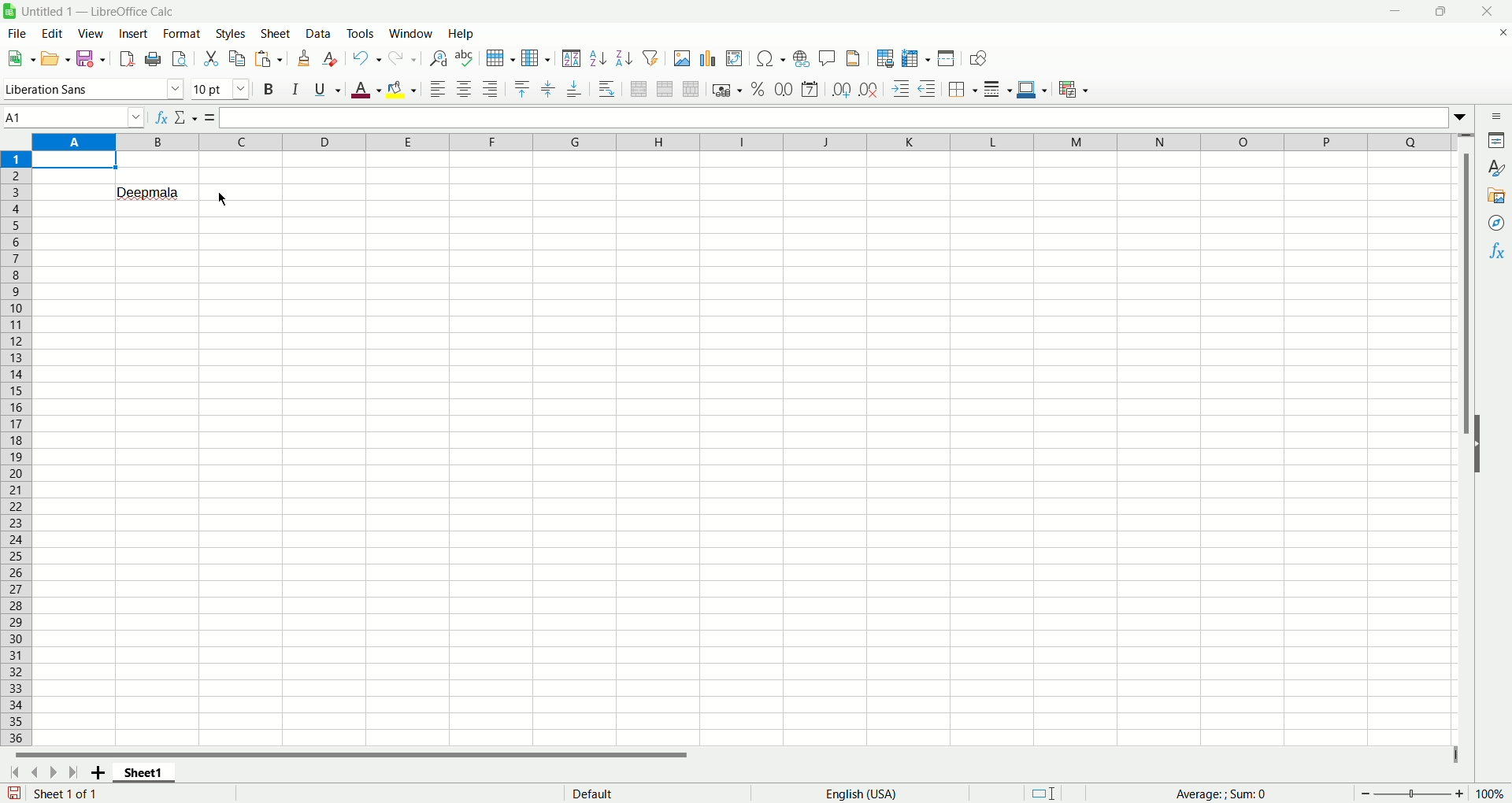 Image resolution: width=1512 pixels, height=803 pixels. I want to click on Styles, so click(1496, 169).